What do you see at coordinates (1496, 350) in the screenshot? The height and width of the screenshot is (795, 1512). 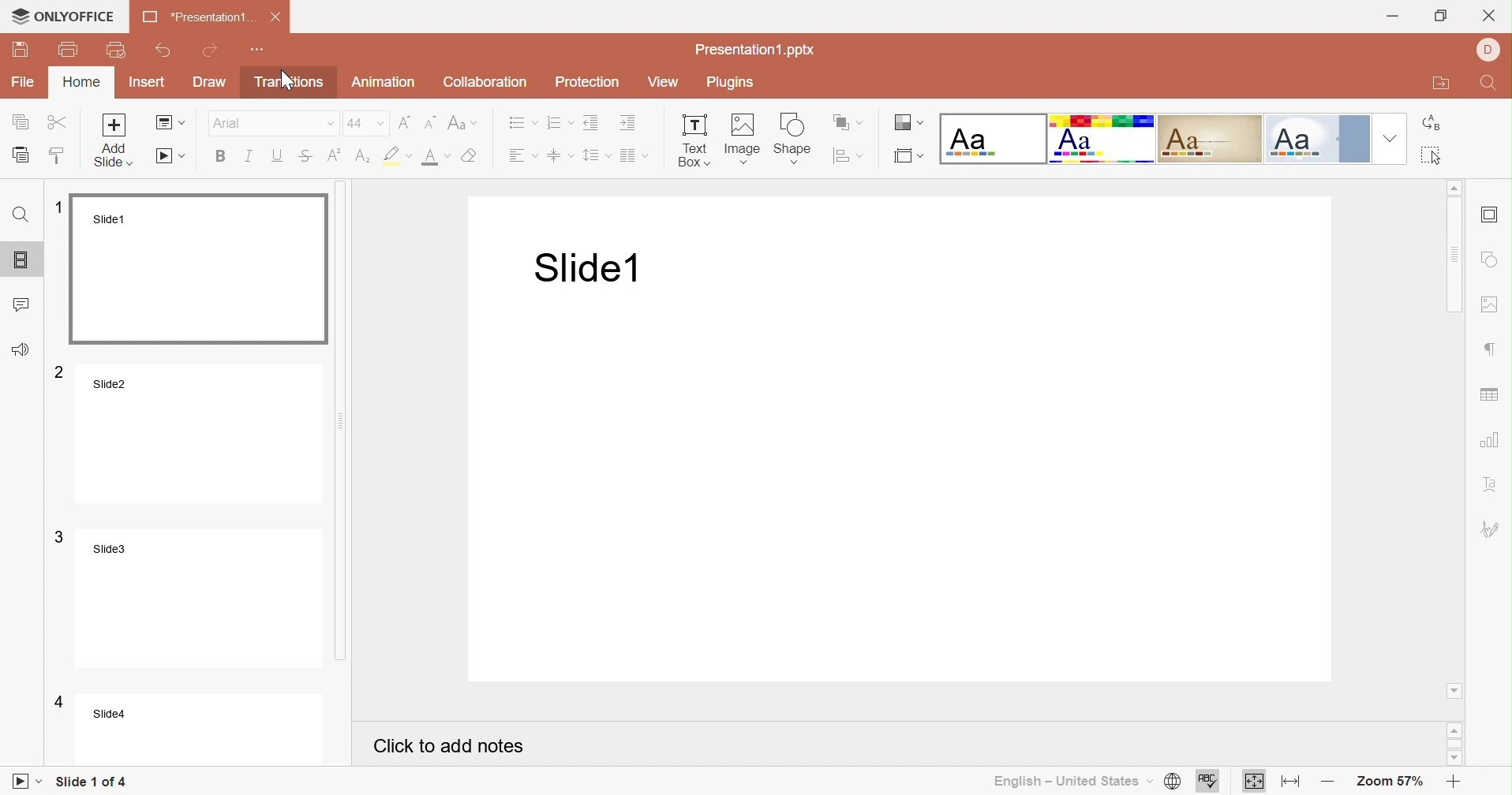 I see `Paragraph settings` at bounding box center [1496, 350].